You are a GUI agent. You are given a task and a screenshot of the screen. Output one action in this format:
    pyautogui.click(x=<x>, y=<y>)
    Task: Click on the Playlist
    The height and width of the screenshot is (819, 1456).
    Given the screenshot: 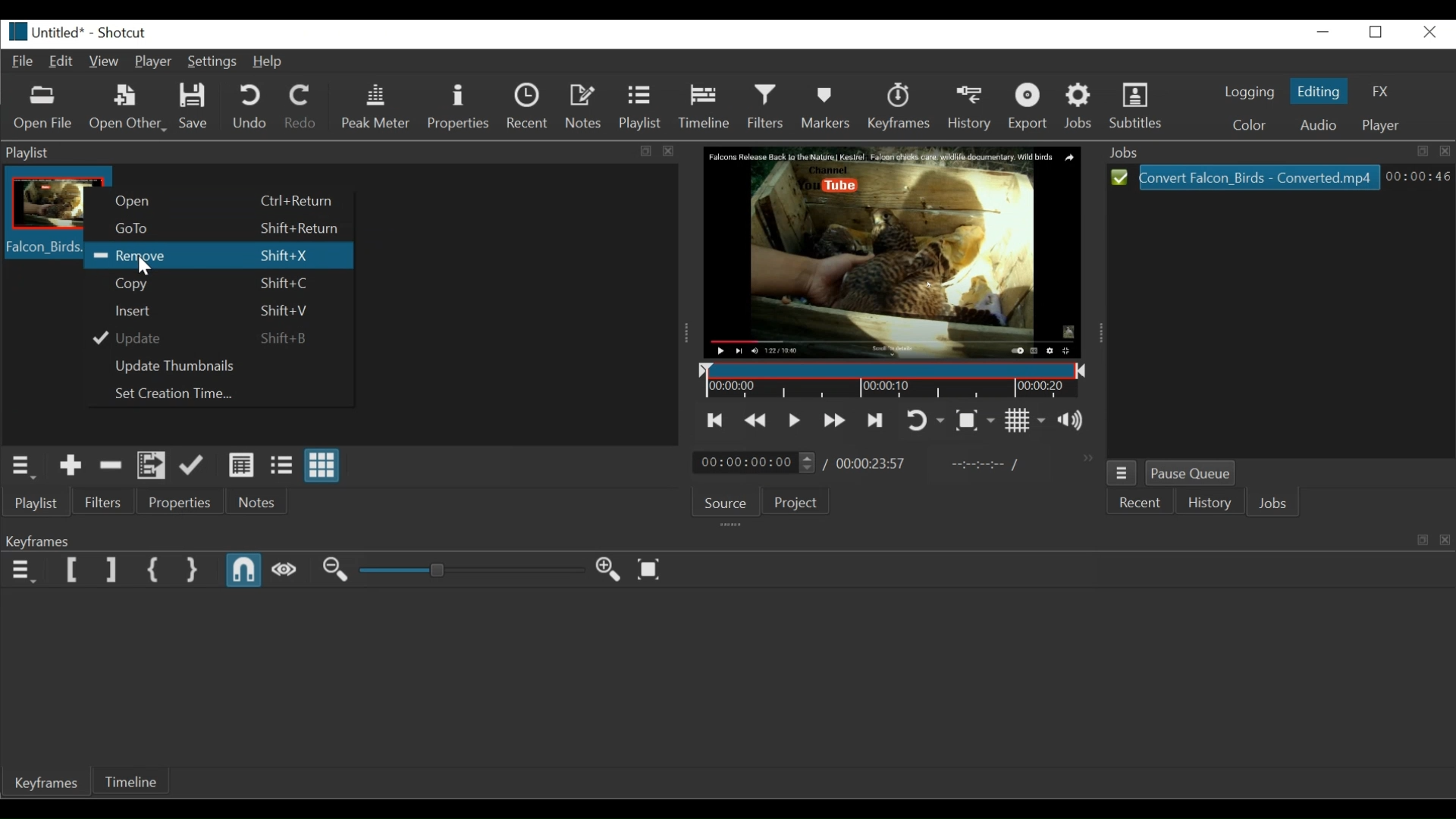 What is the action you would take?
    pyautogui.click(x=642, y=107)
    